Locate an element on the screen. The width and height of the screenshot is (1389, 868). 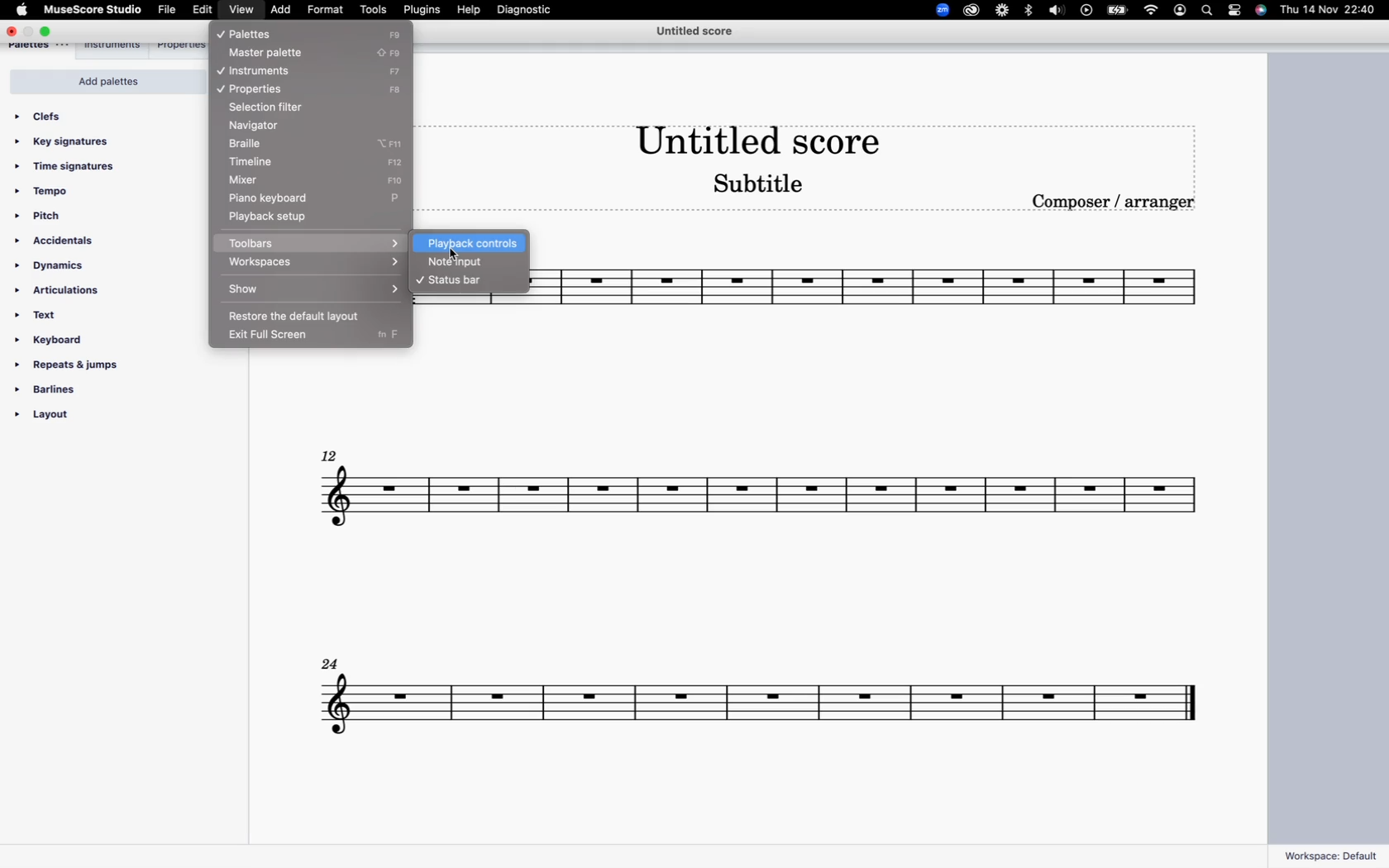
playback controls is located at coordinates (472, 242).